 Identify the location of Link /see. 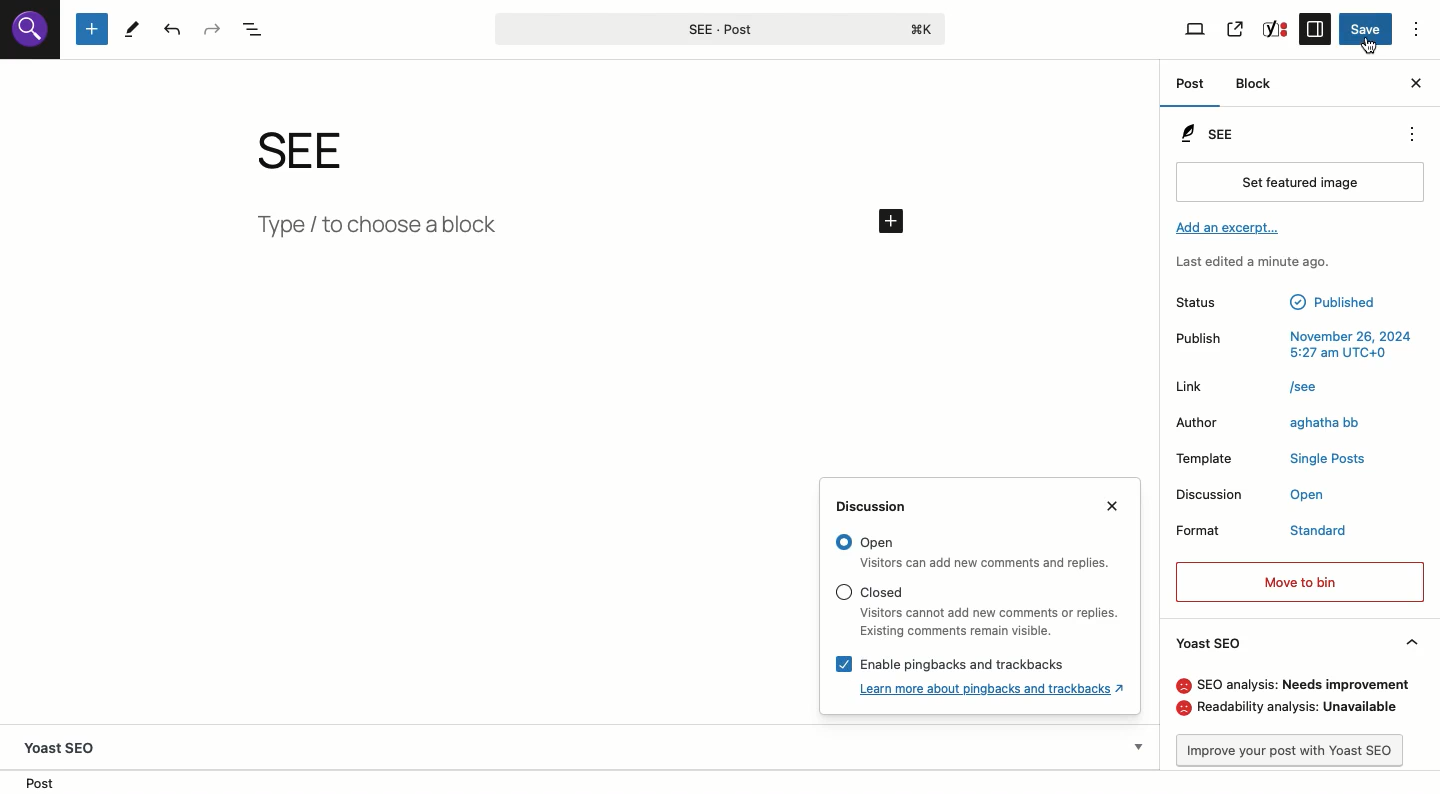
(1257, 390).